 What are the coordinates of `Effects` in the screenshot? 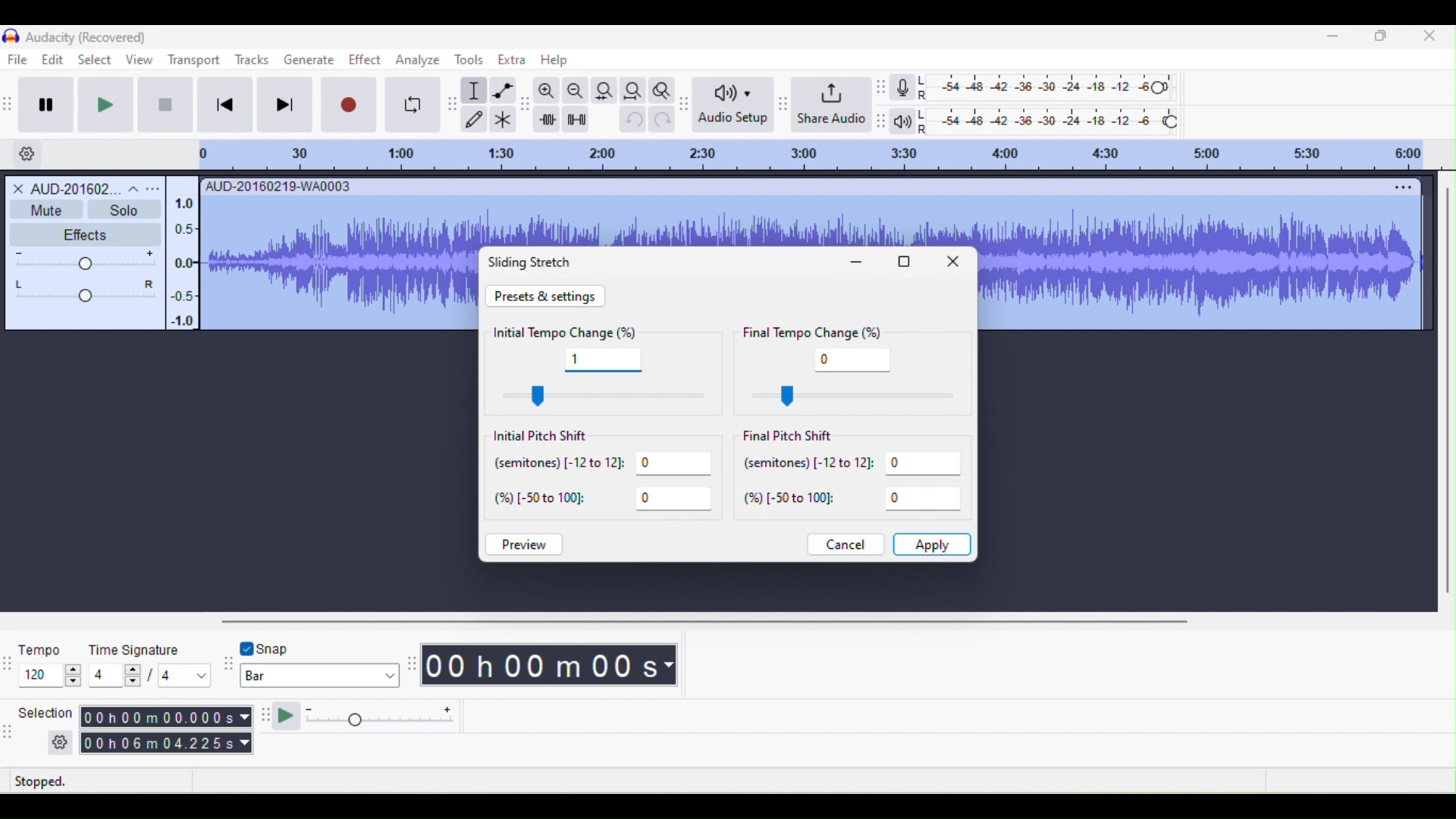 It's located at (78, 234).